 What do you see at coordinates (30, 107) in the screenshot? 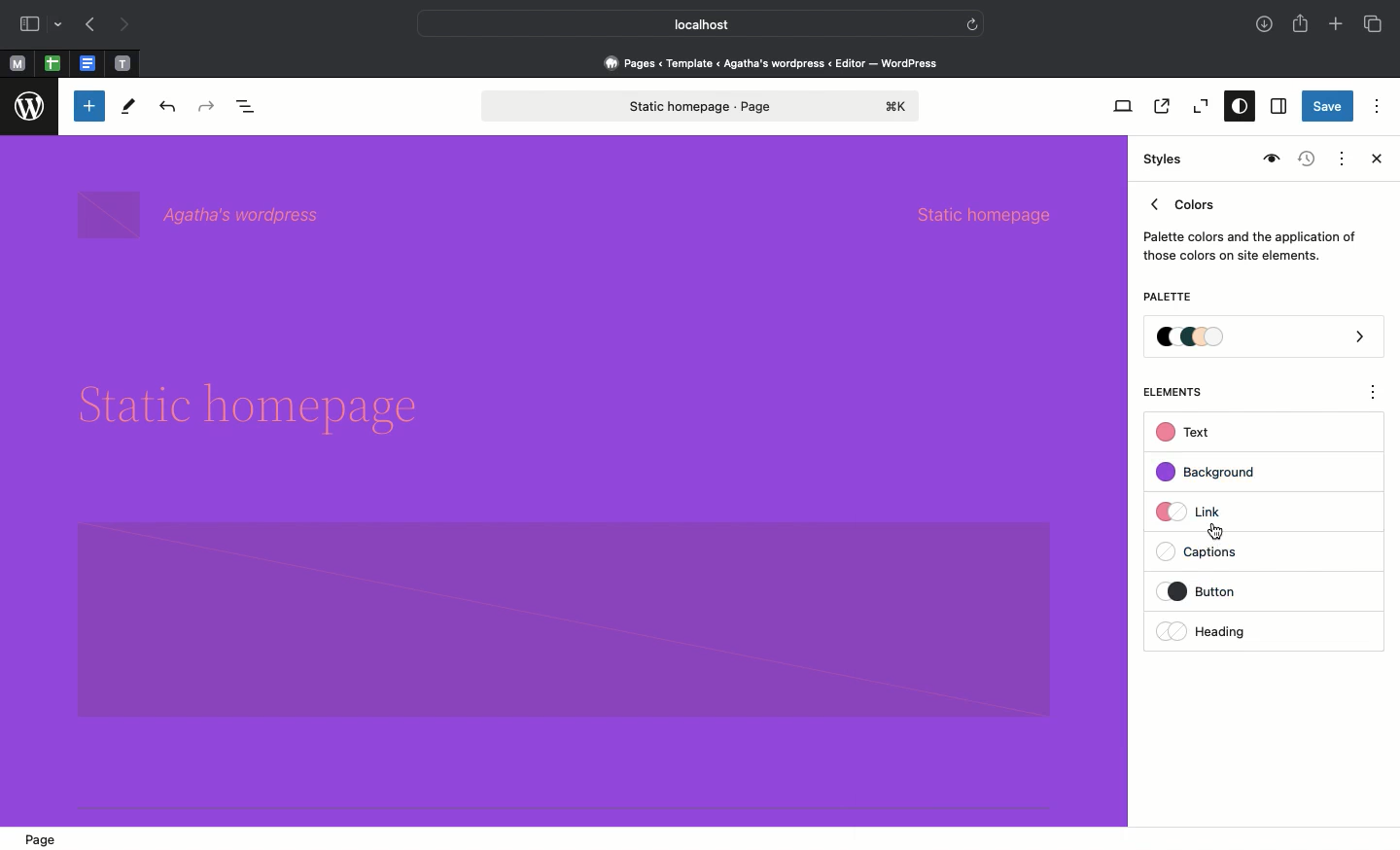
I see `wordpress` at bounding box center [30, 107].